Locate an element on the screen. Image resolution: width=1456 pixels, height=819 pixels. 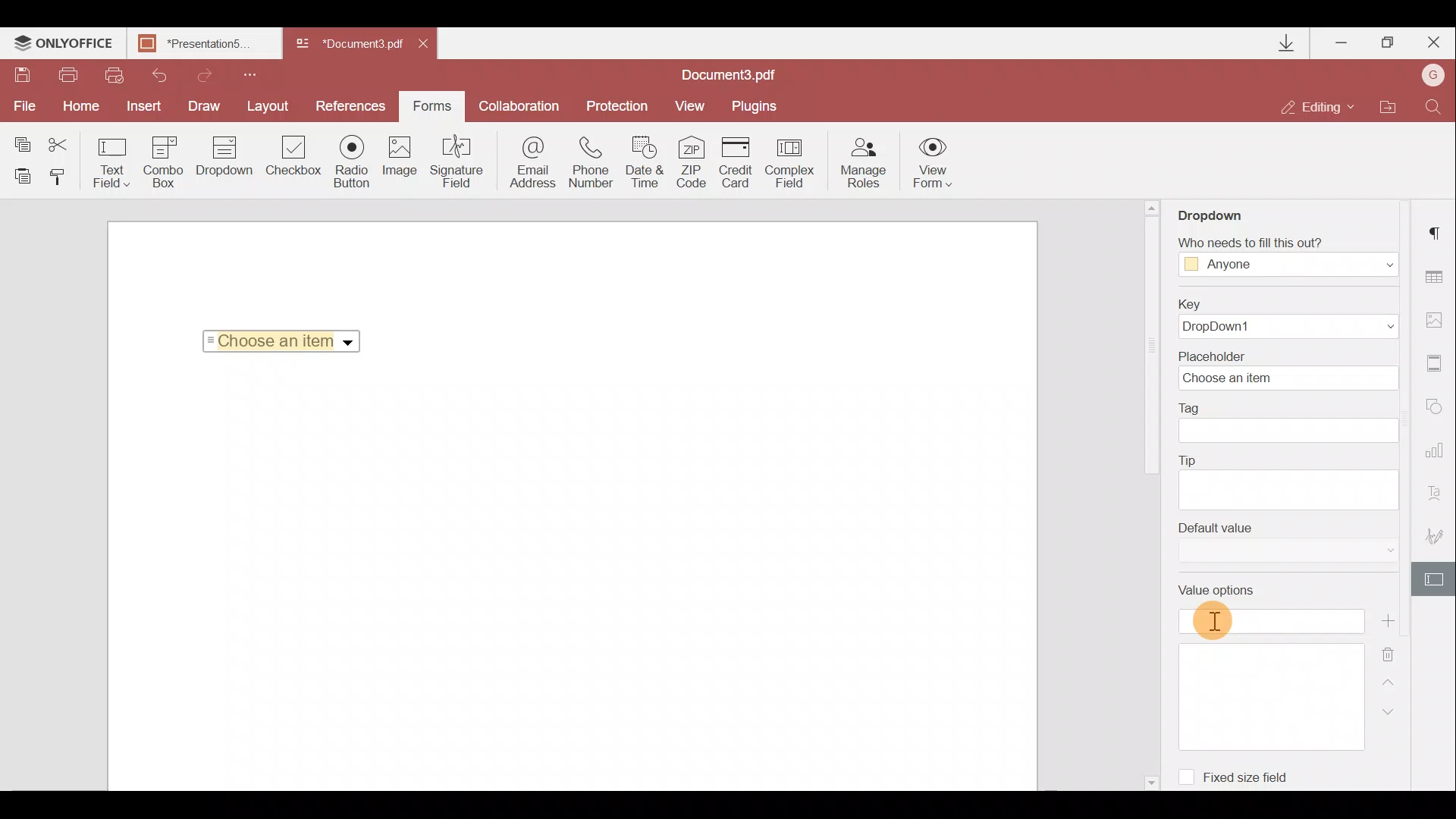
Customize quick access toolbar is located at coordinates (244, 73).